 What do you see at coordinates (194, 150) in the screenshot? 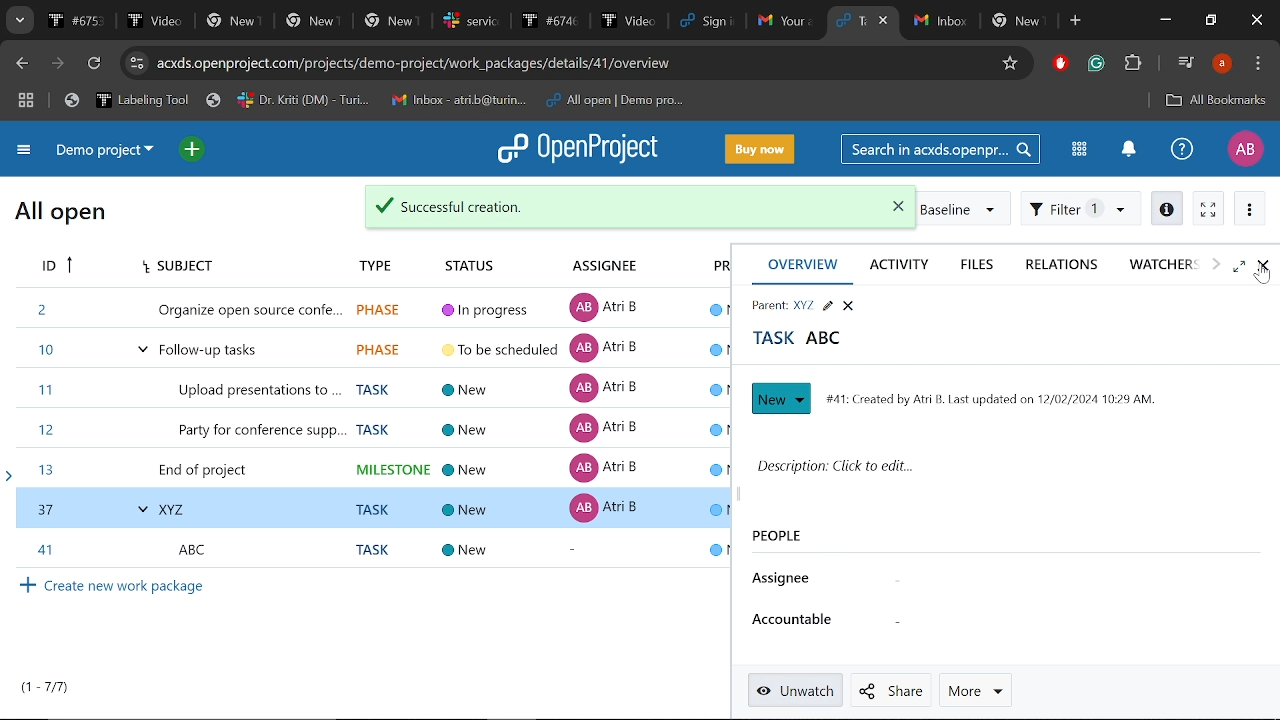
I see `Open quick add menu` at bounding box center [194, 150].